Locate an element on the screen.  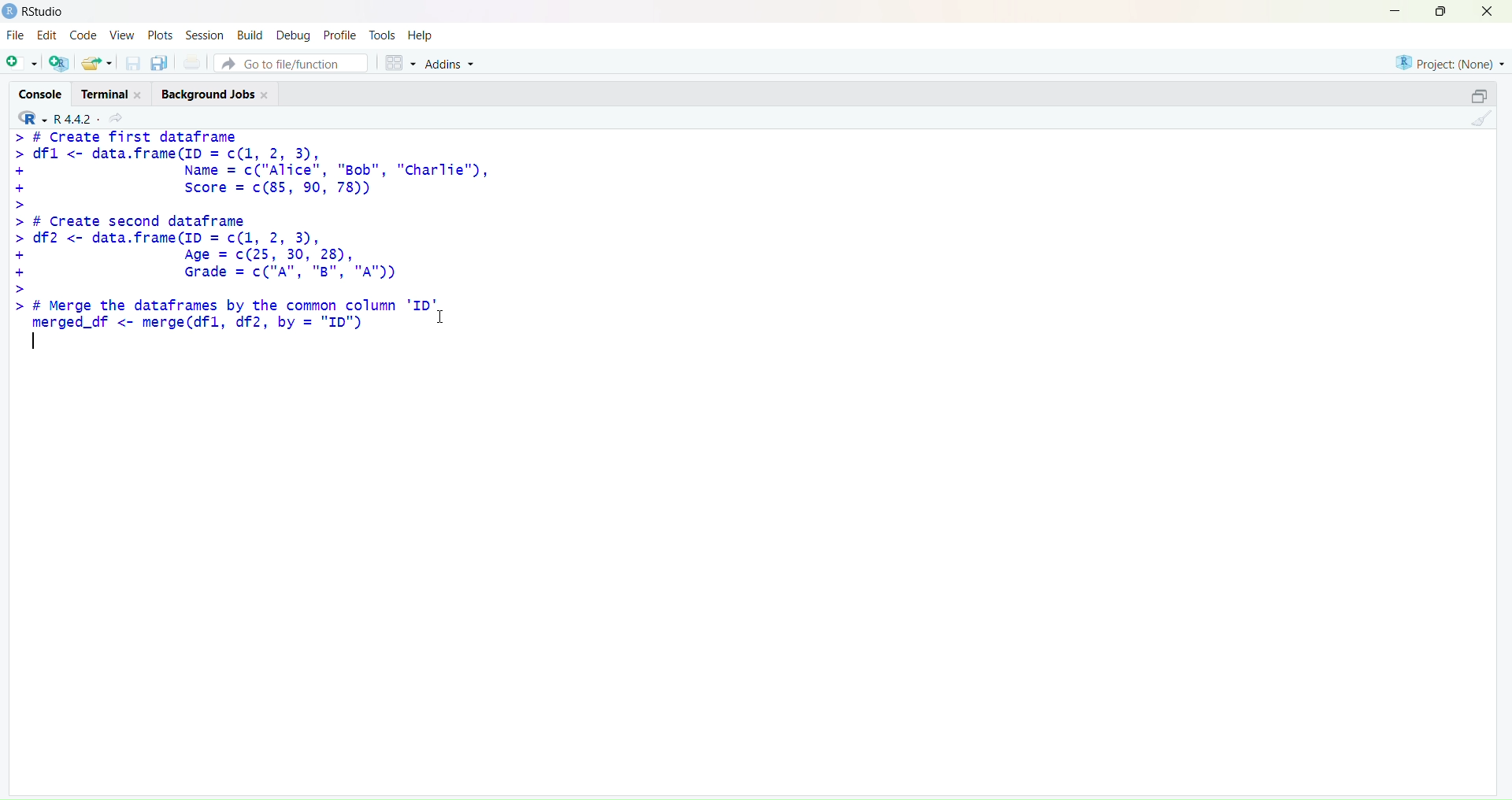
new file is located at coordinates (20, 61).